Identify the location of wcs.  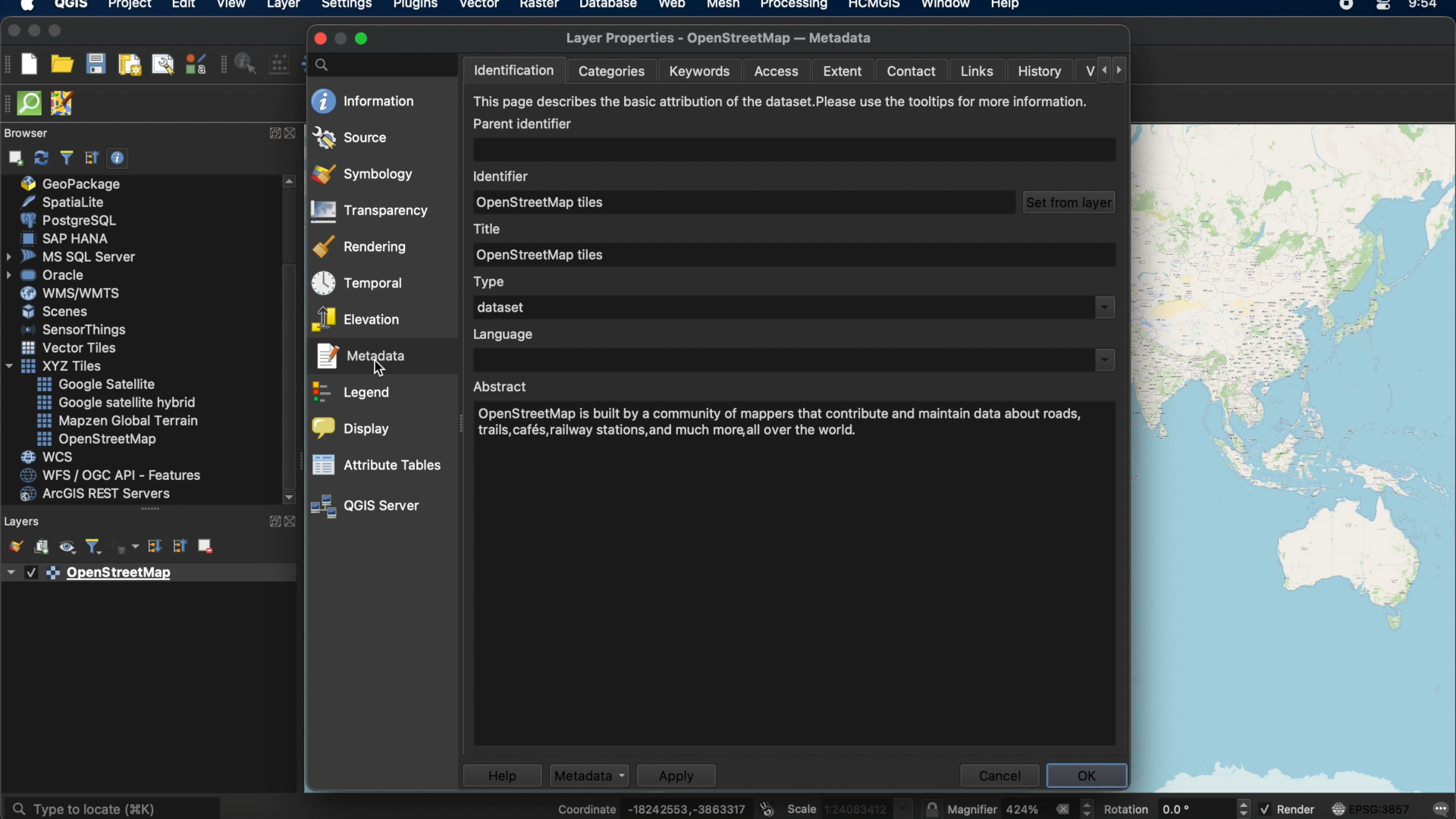
(47, 457).